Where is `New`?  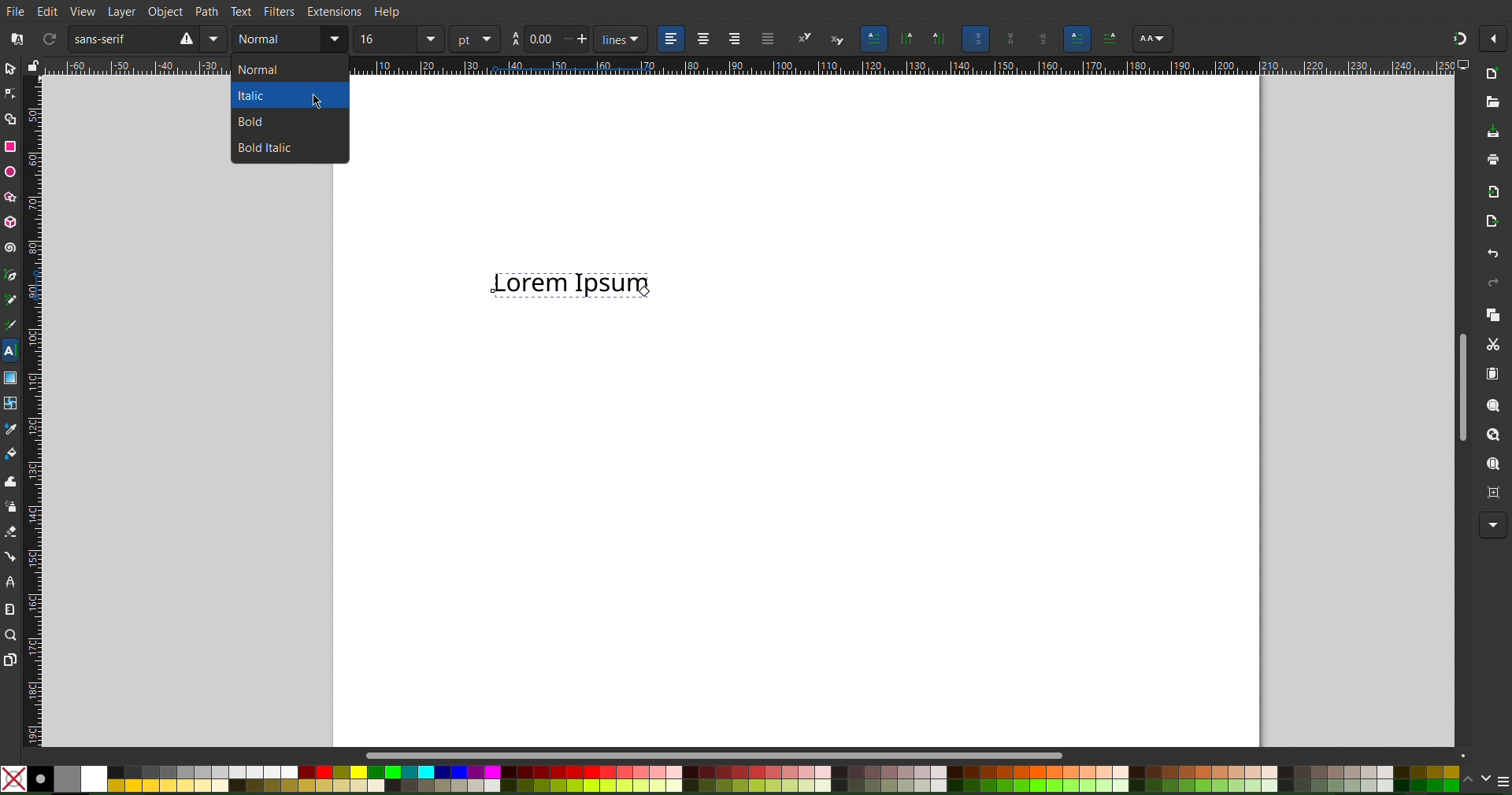
New is located at coordinates (1493, 73).